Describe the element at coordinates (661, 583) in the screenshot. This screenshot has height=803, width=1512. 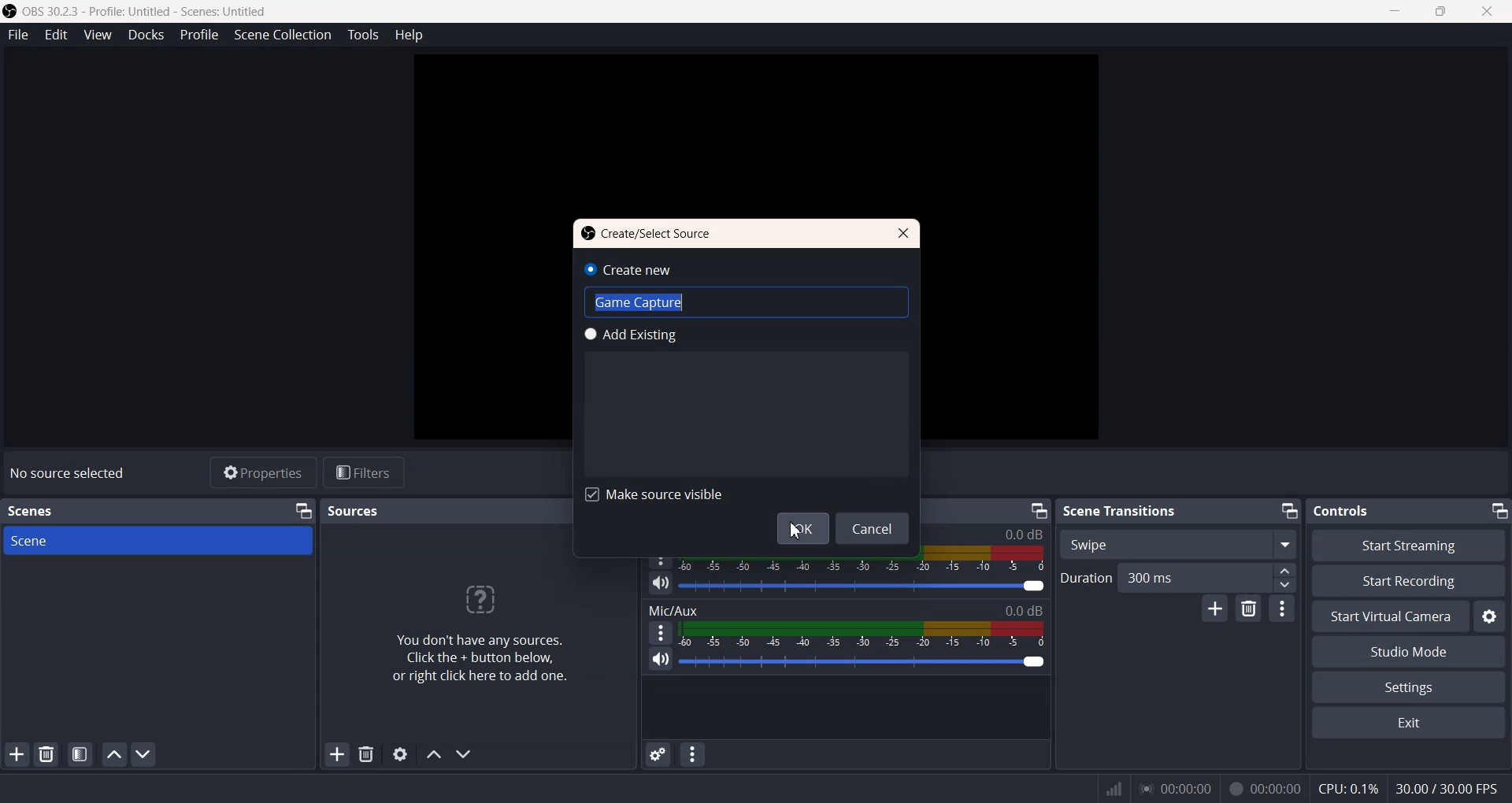
I see `Mute/ Unmute` at that location.